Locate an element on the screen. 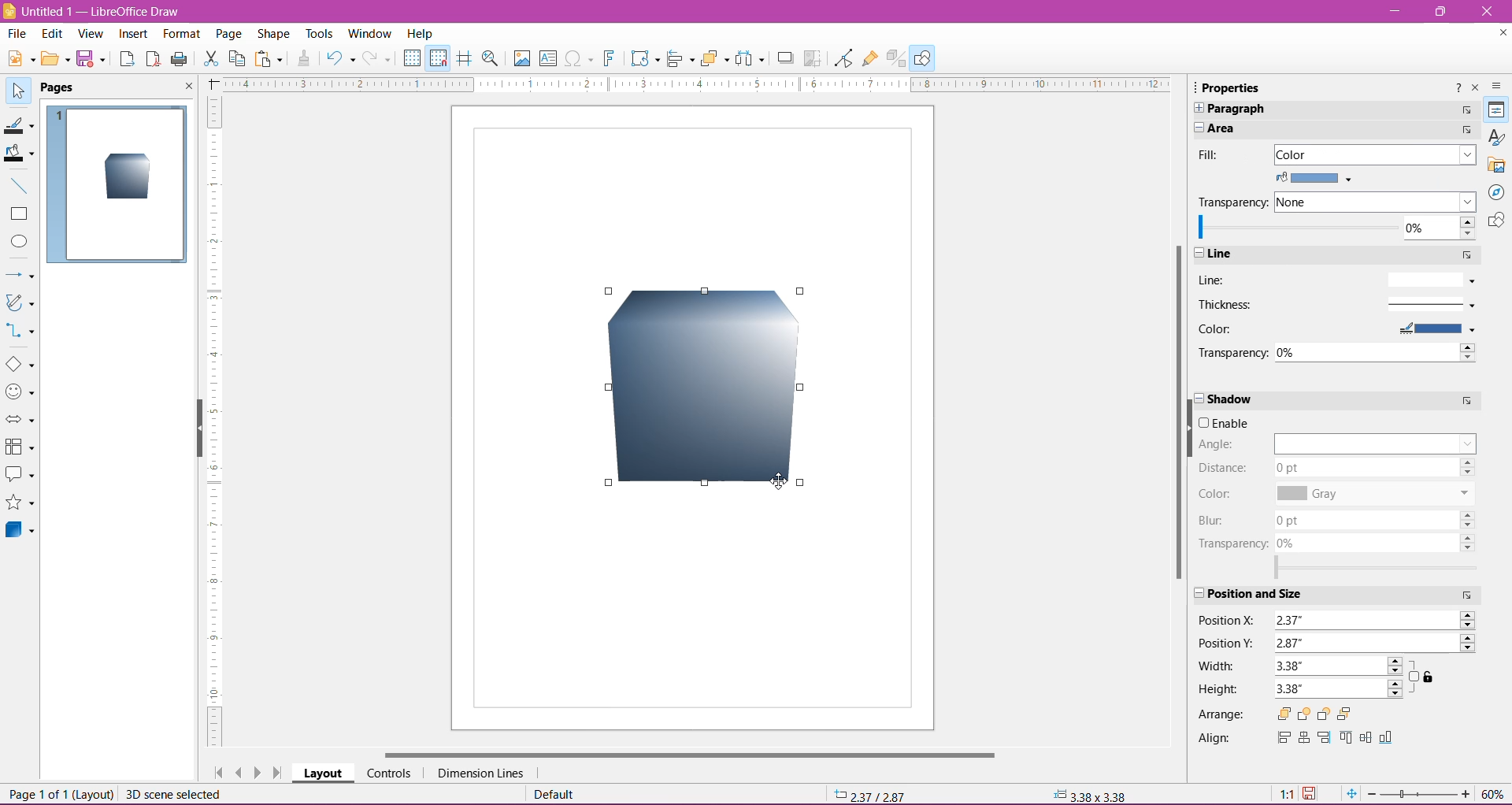 Image resolution: width=1512 pixels, height=805 pixels. Angle is located at coordinates (1231, 444).